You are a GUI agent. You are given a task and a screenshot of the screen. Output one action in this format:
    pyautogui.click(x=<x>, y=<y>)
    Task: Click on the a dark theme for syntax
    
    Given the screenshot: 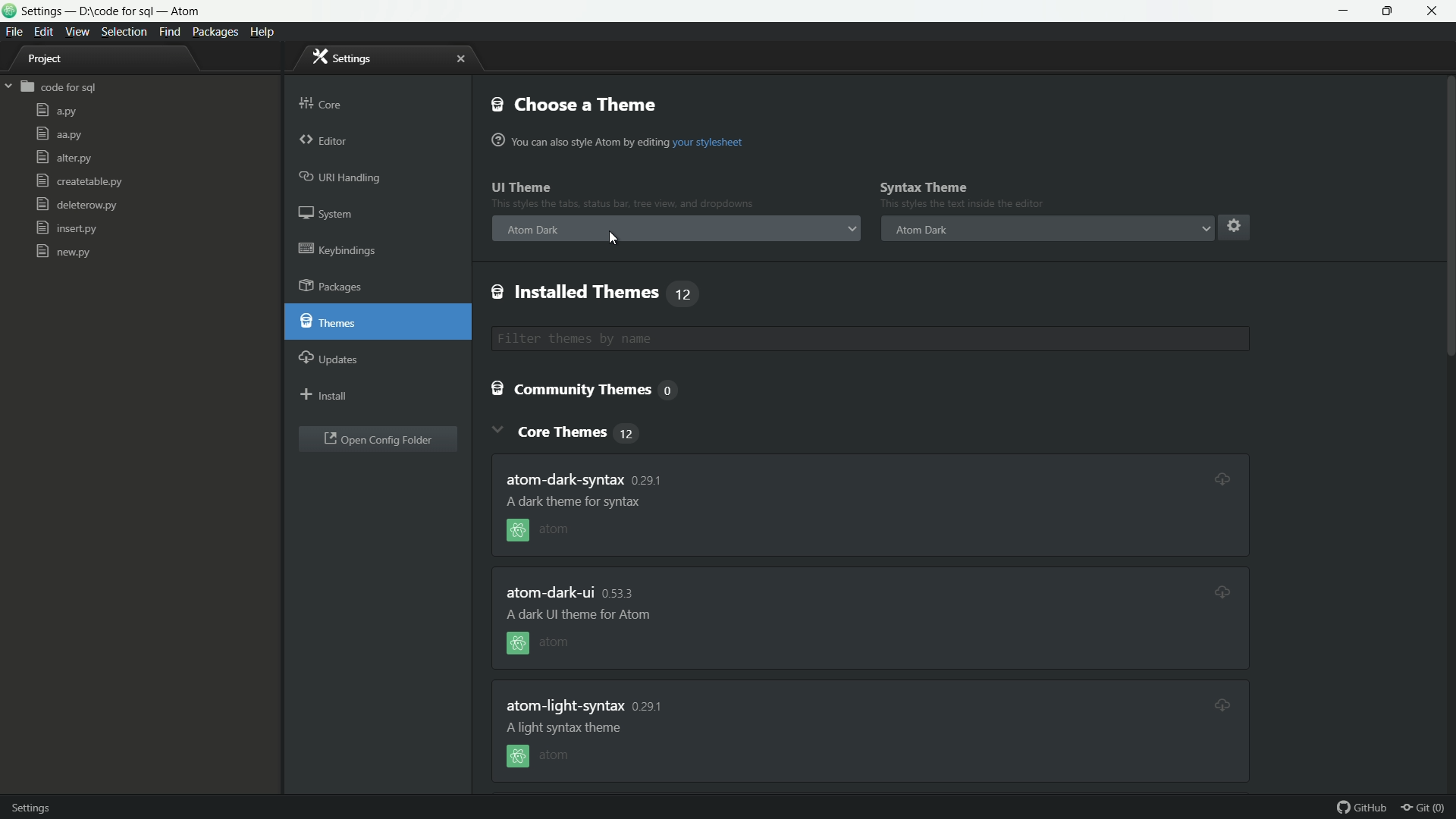 What is the action you would take?
    pyautogui.click(x=578, y=501)
    